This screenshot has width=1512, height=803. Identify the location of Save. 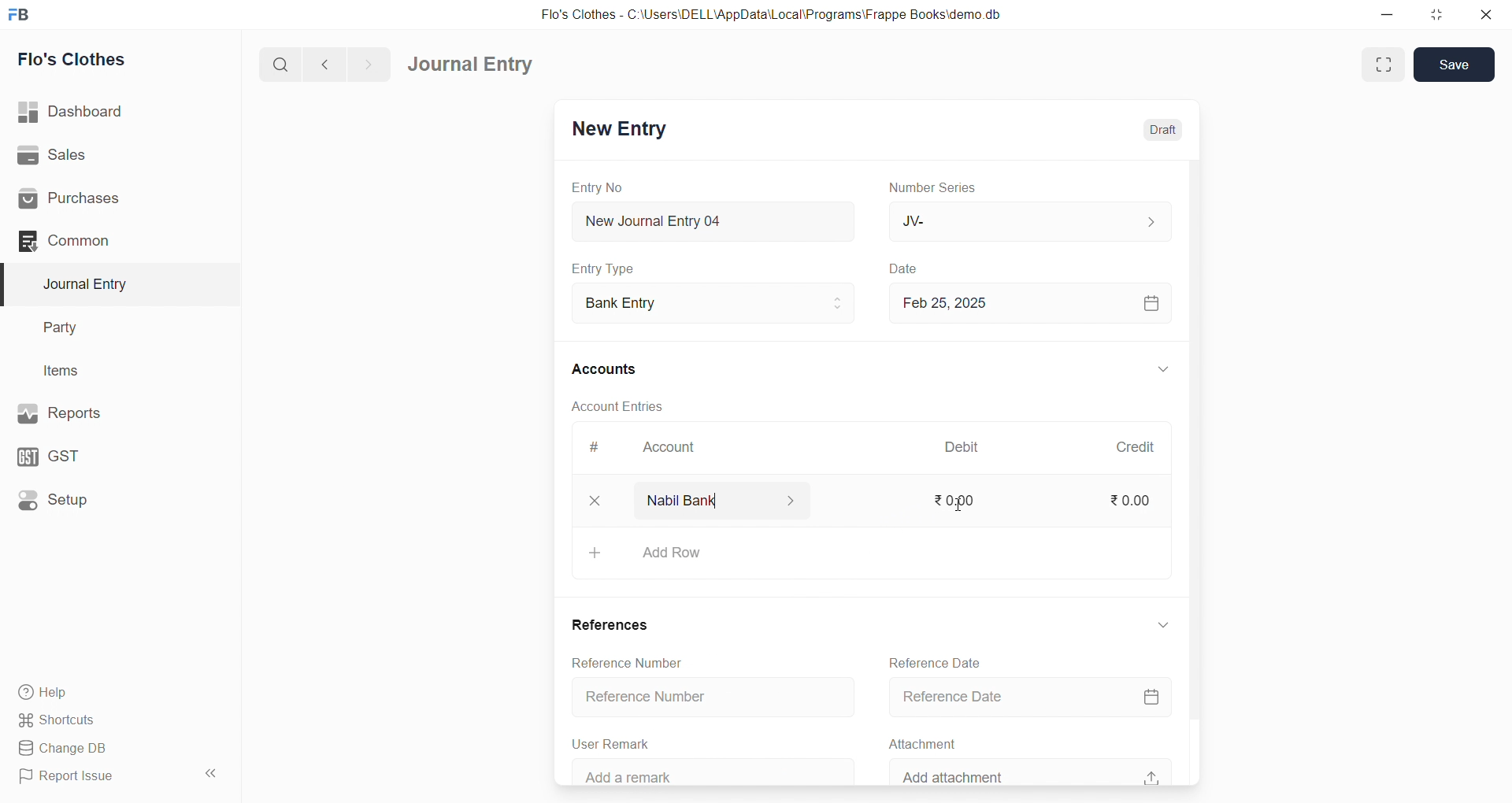
(1455, 63).